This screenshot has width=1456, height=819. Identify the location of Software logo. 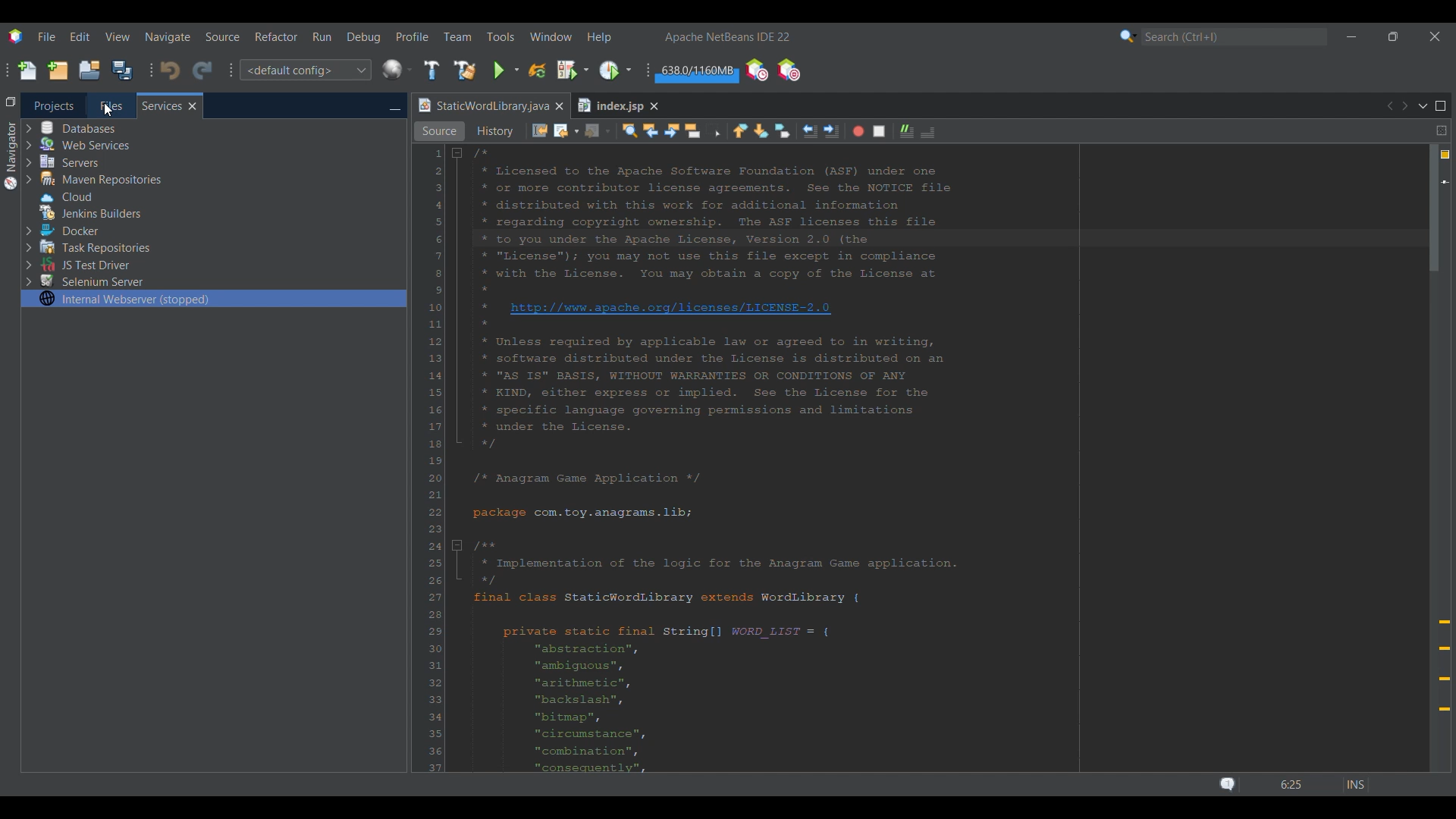
(16, 37).